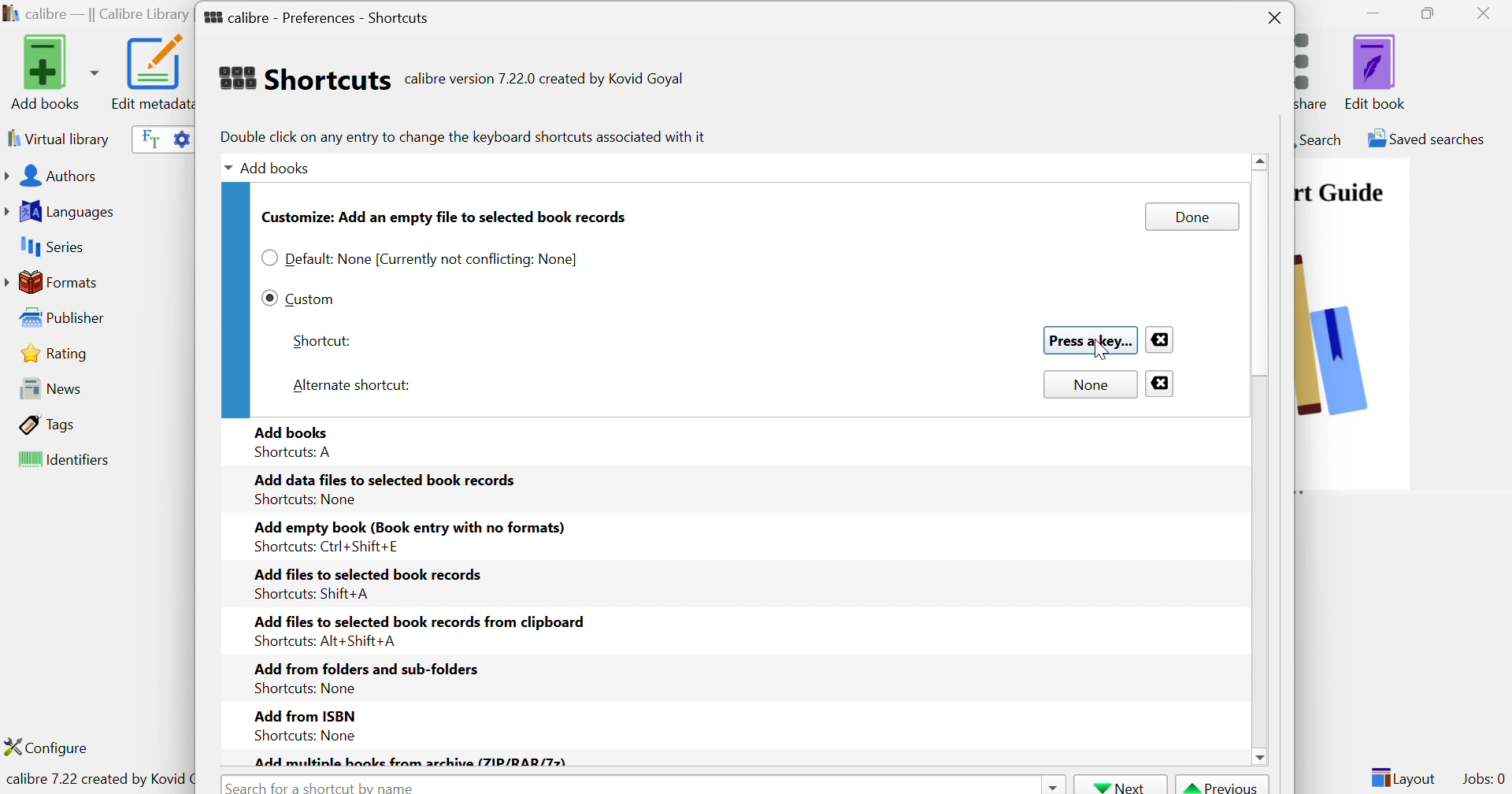 The height and width of the screenshot is (794, 1512). What do you see at coordinates (1319, 139) in the screenshot?
I see `Search` at bounding box center [1319, 139].